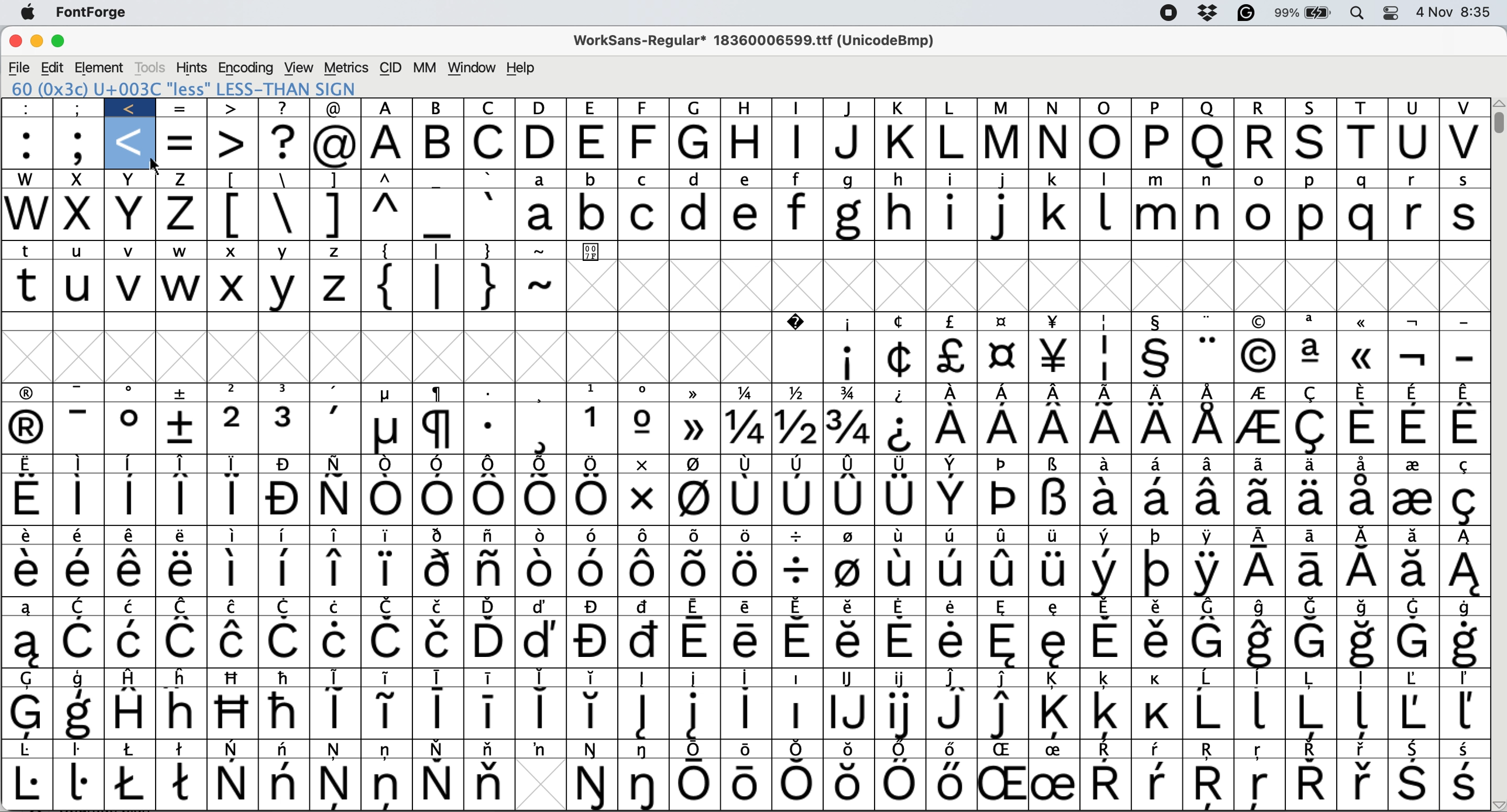 The image size is (1507, 812). What do you see at coordinates (1312, 608) in the screenshot?
I see `Symbol` at bounding box center [1312, 608].